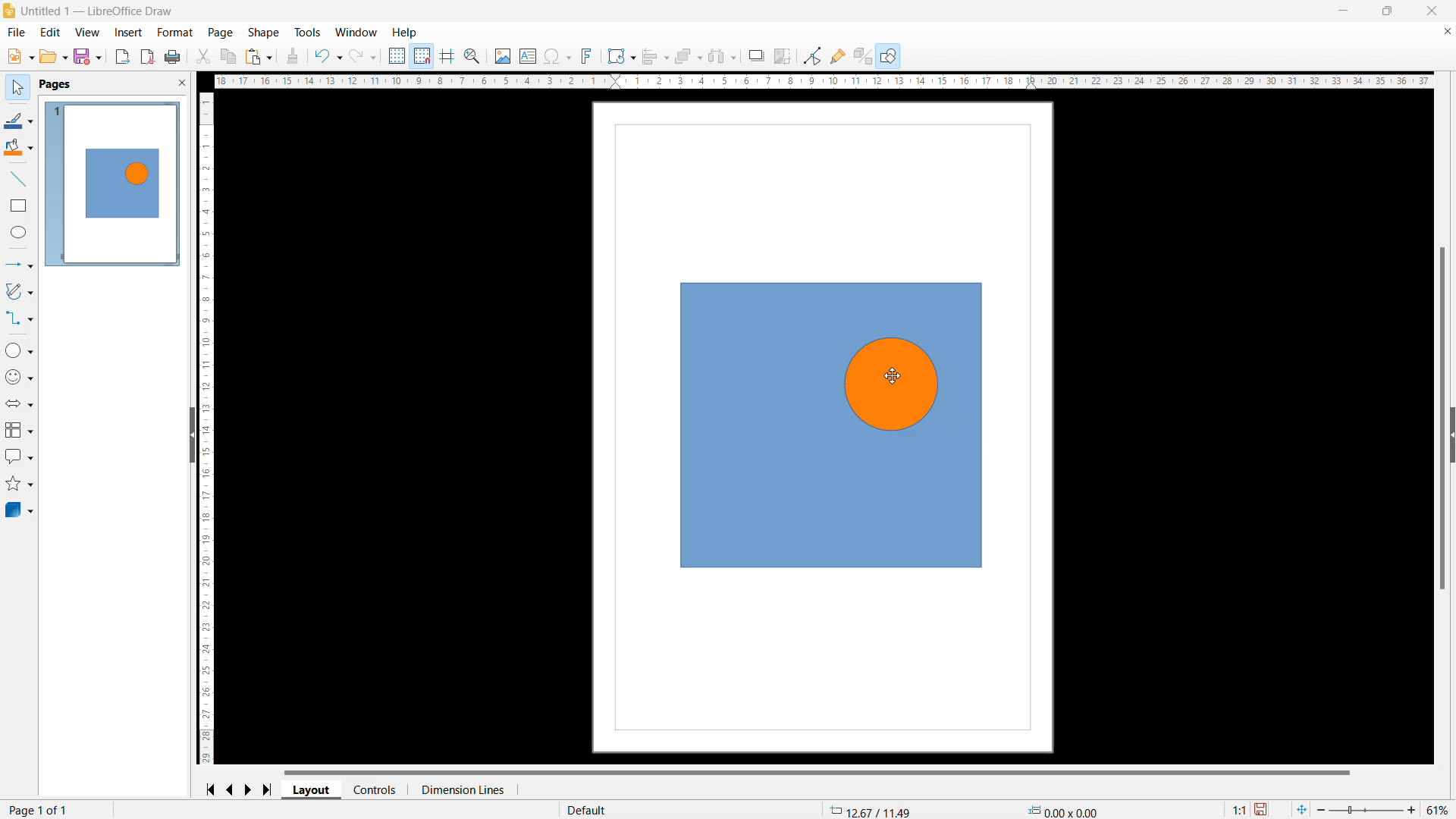 This screenshot has width=1456, height=819. Describe the element at coordinates (192, 435) in the screenshot. I see `hide pane` at that location.